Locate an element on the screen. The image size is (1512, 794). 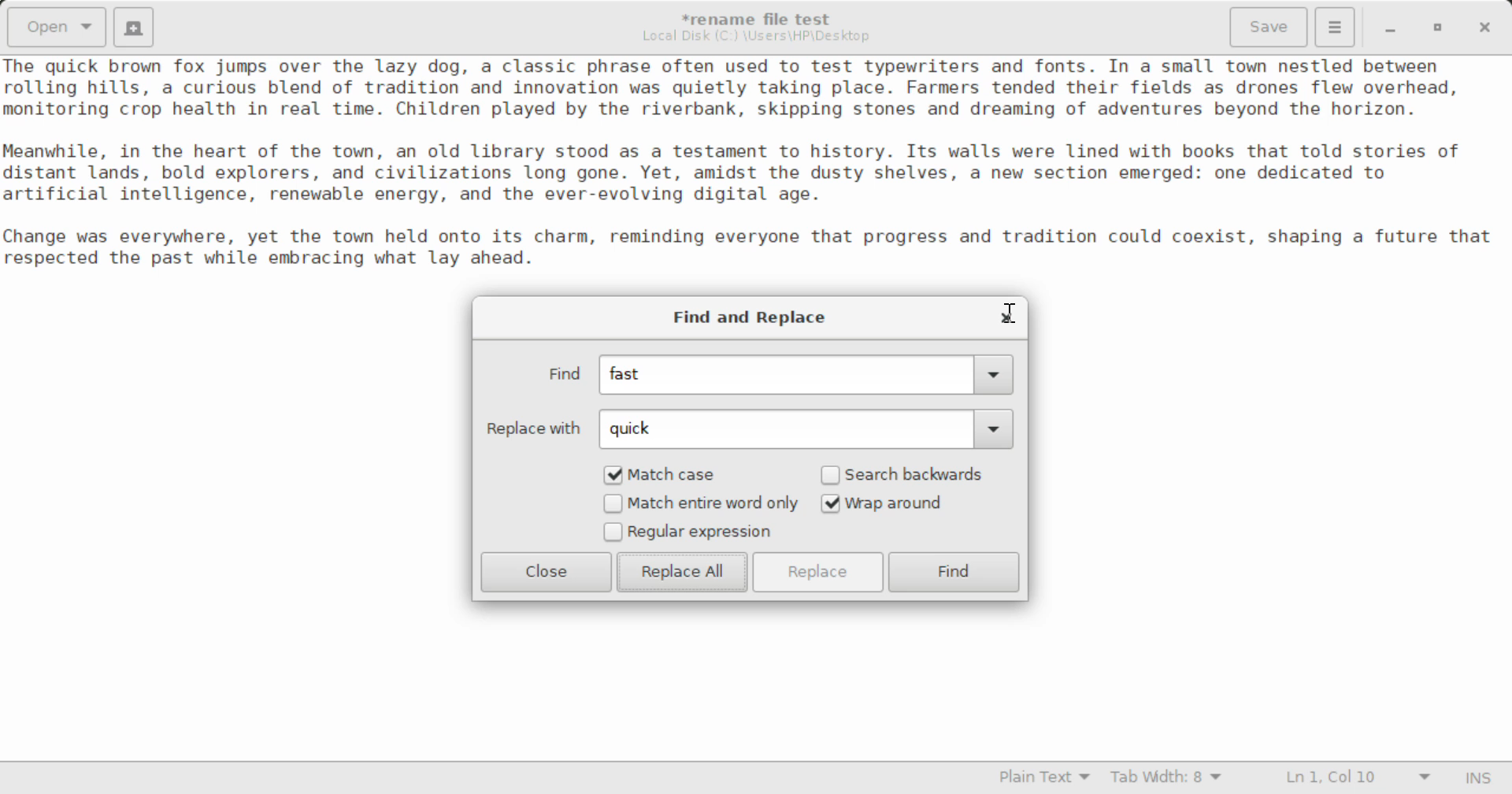
Text Replaced is located at coordinates (74, 66).